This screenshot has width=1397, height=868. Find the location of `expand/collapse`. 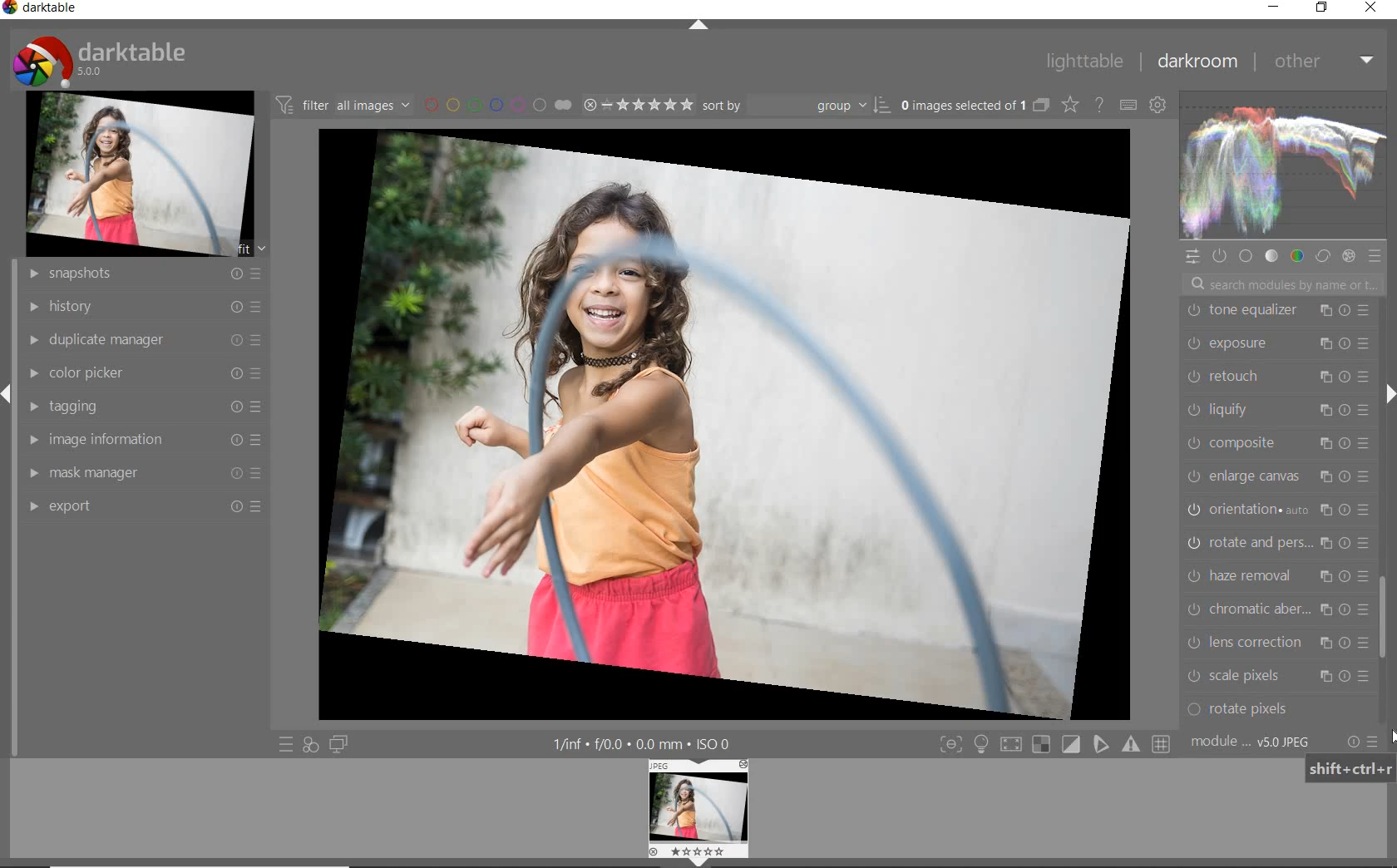

expand/collapse is located at coordinates (1390, 395).